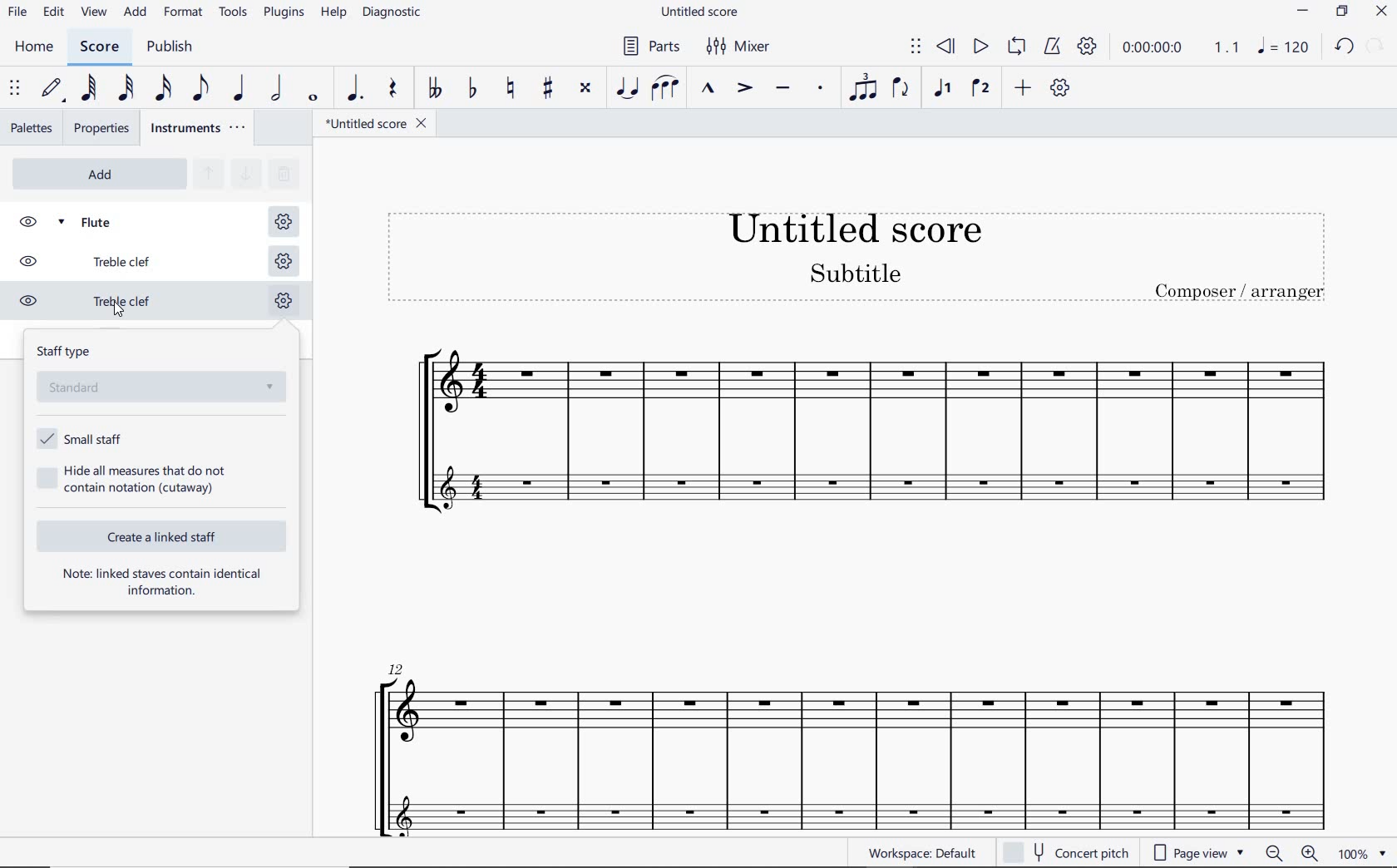 This screenshot has height=868, width=1397. What do you see at coordinates (901, 91) in the screenshot?
I see `FLIP DIRECTION` at bounding box center [901, 91].